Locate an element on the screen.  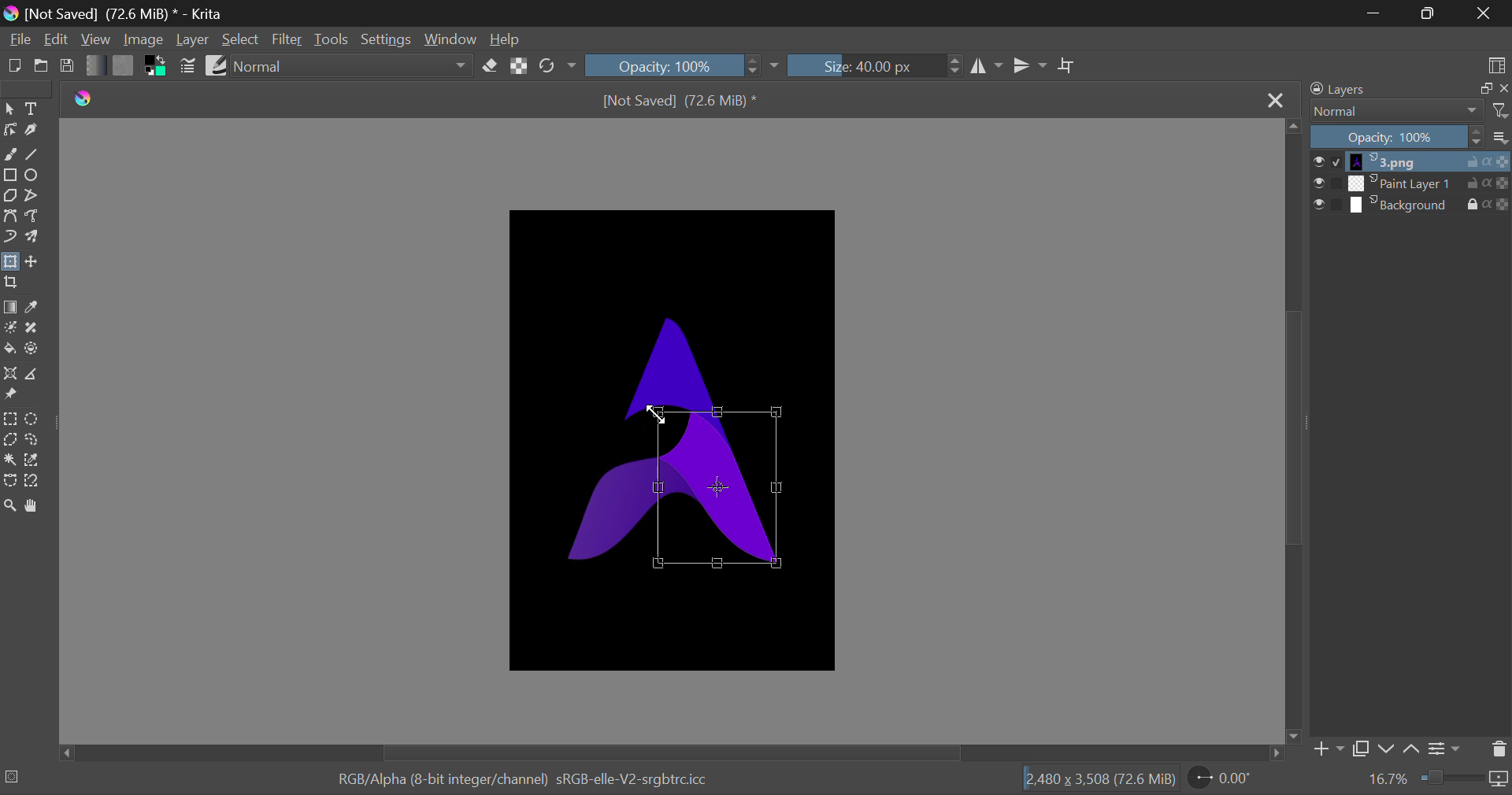
[Not Saved] (71.4 MiB) * is located at coordinates (683, 102).